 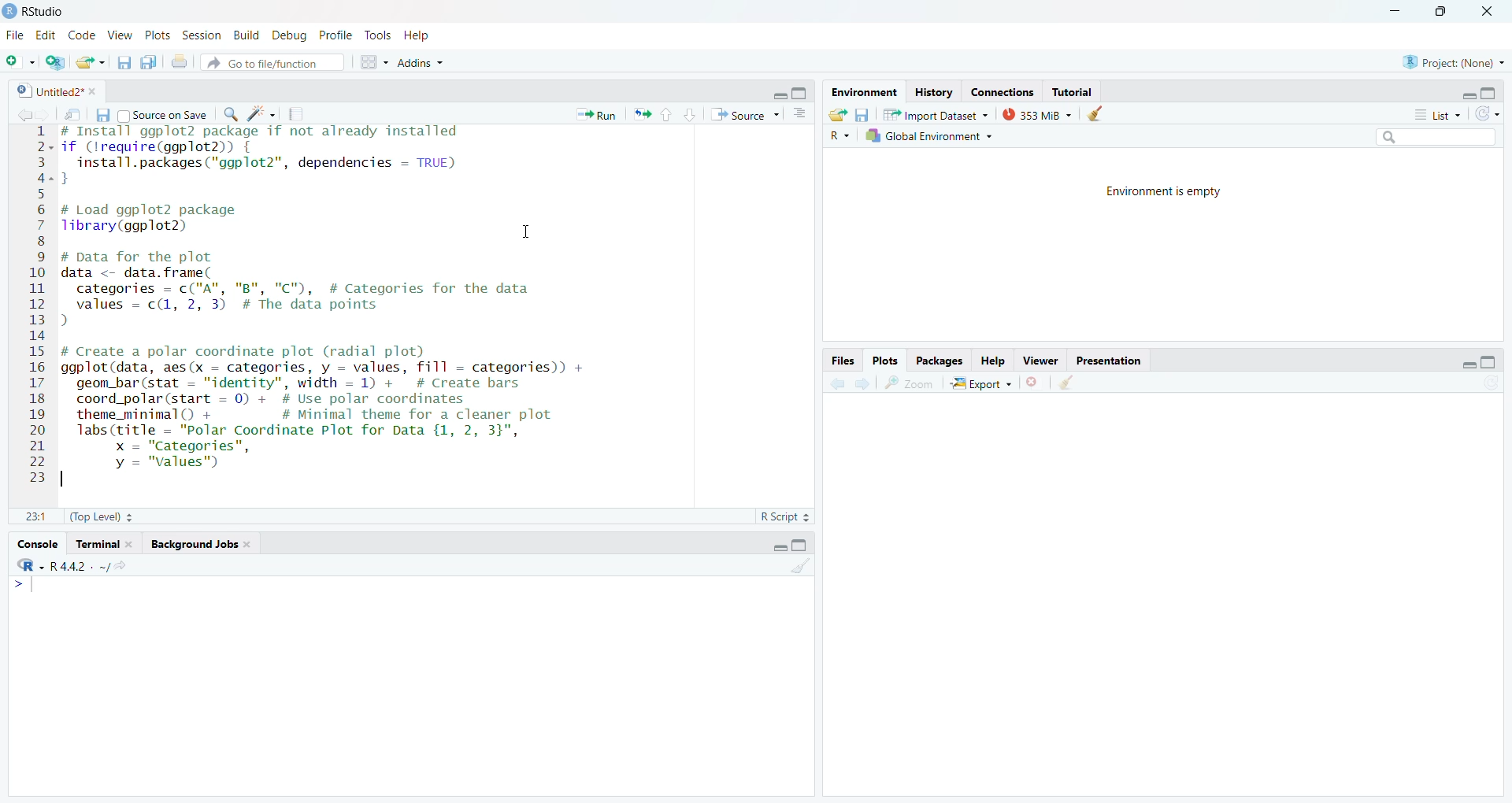 I want to click on hide console, so click(x=1489, y=362).